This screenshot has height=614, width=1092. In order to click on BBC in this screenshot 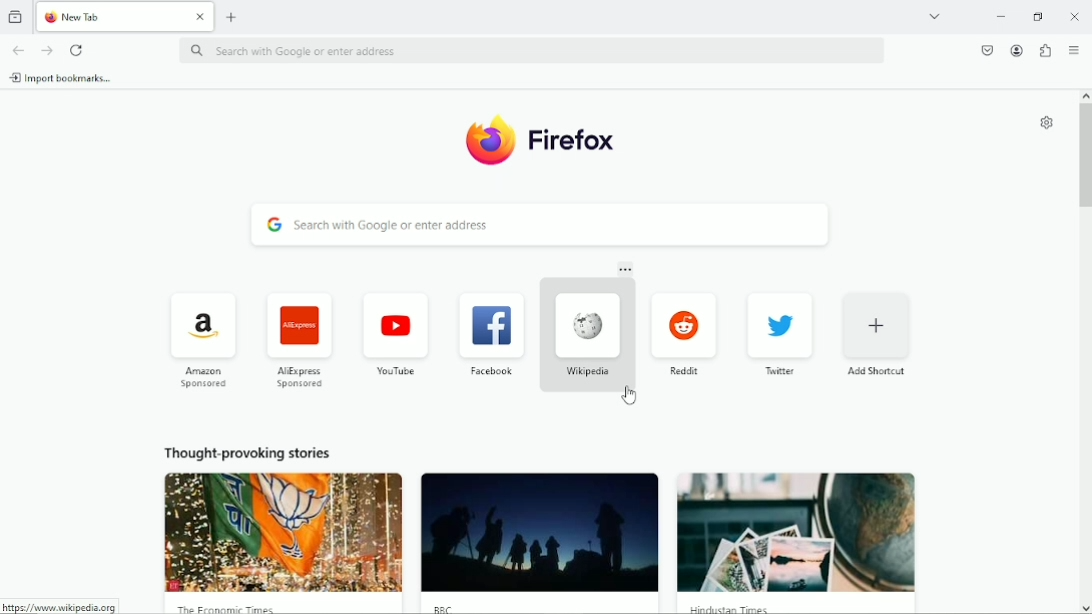, I will do `click(446, 607)`.